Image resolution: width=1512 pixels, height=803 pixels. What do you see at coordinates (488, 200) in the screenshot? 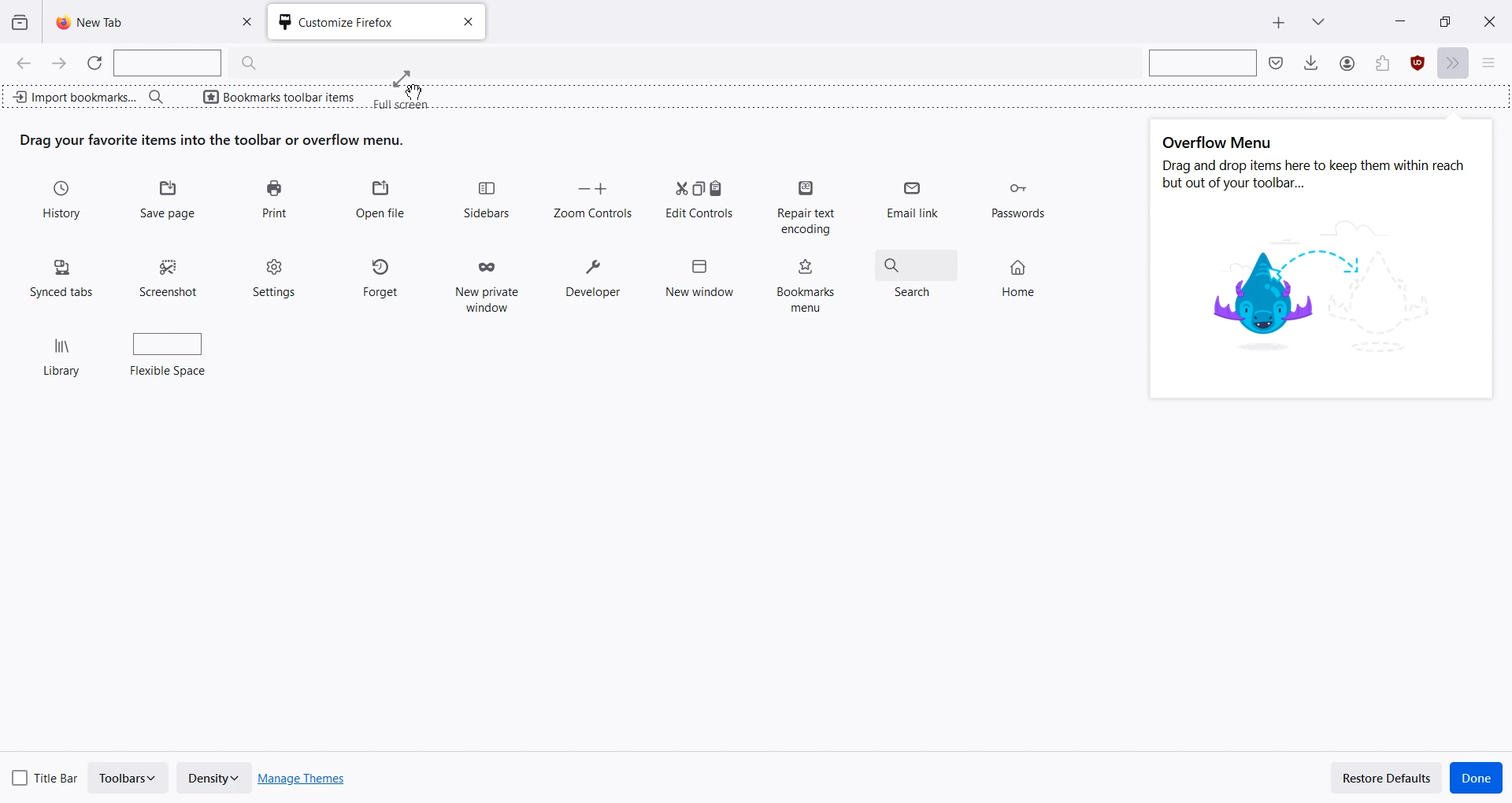
I see `Sidebars` at bounding box center [488, 200].